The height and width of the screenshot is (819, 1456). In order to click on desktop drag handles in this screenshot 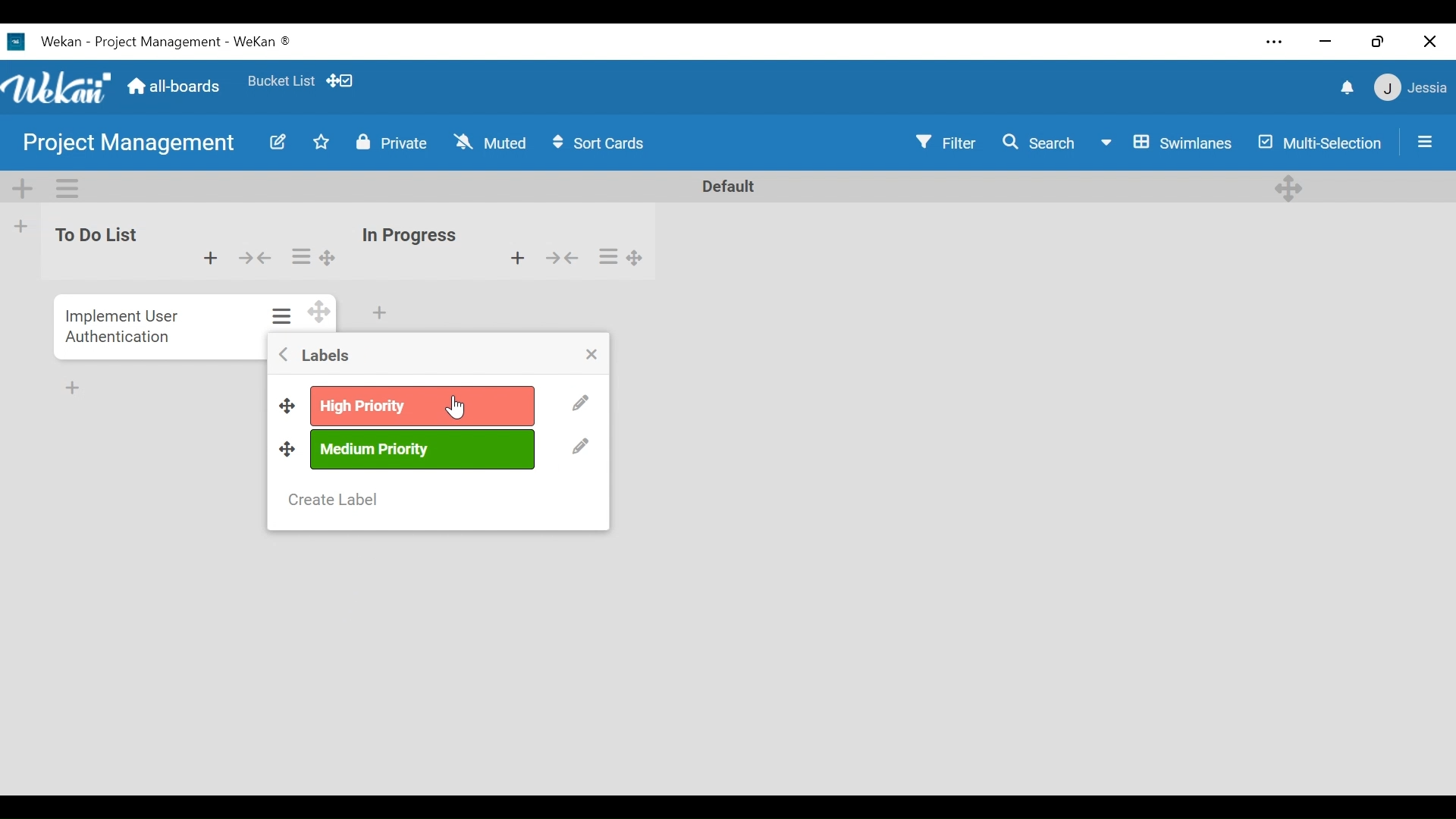, I will do `click(637, 257)`.